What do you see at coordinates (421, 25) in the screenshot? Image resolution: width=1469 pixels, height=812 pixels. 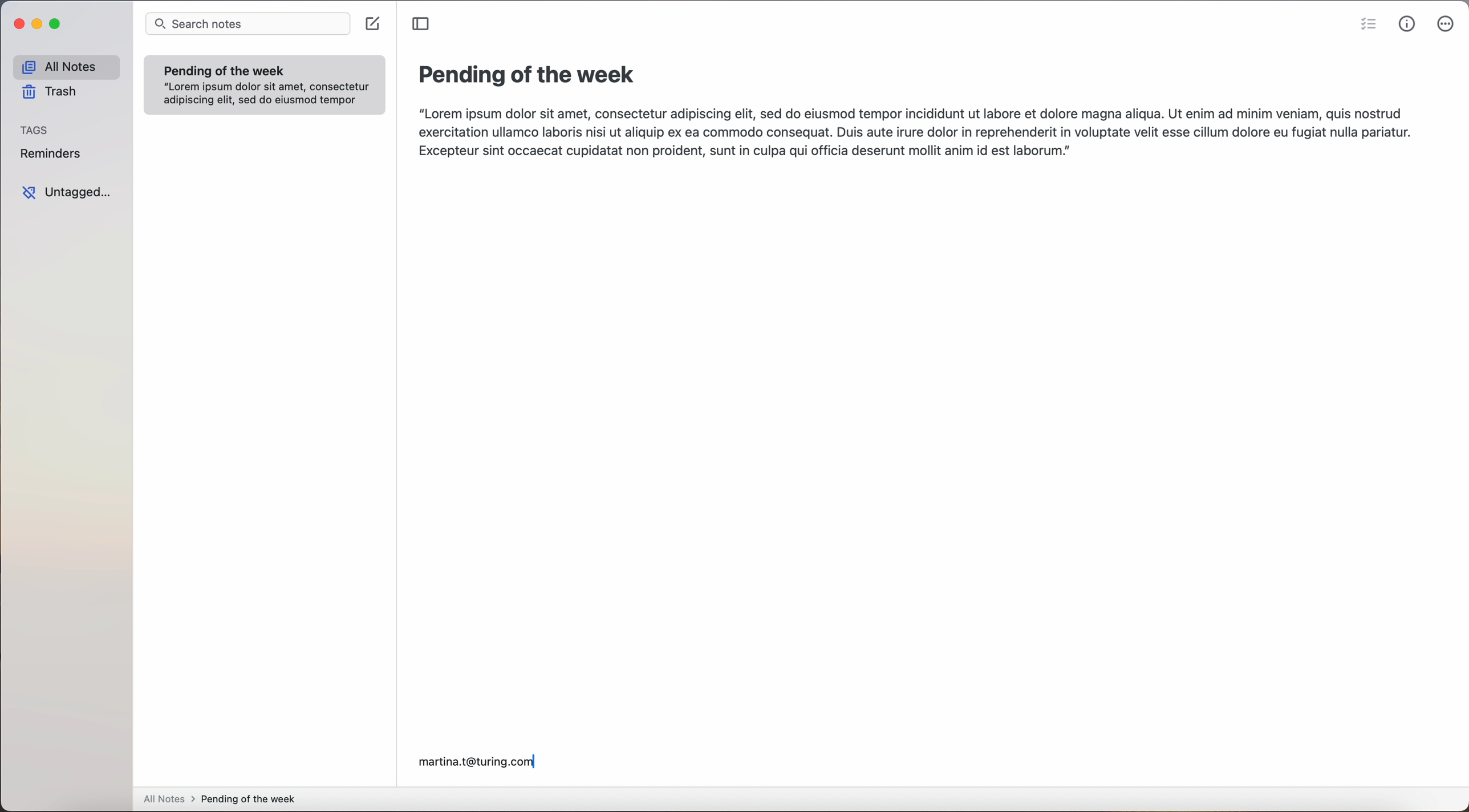 I see `toggle sidebar` at bounding box center [421, 25].